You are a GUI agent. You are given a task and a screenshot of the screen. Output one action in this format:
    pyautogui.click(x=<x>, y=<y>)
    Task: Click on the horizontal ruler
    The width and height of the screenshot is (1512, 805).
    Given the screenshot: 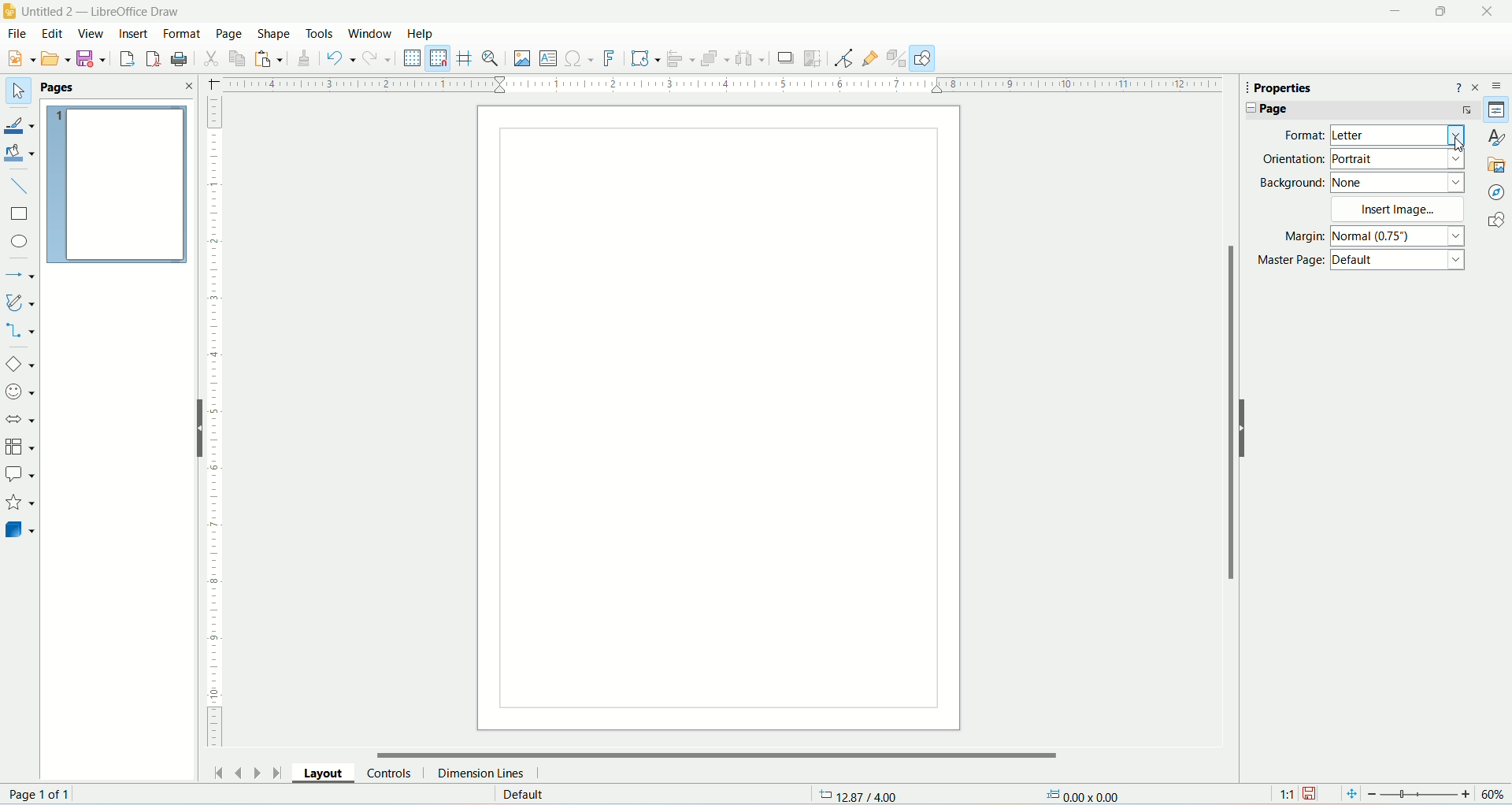 What is the action you would take?
    pyautogui.click(x=719, y=87)
    